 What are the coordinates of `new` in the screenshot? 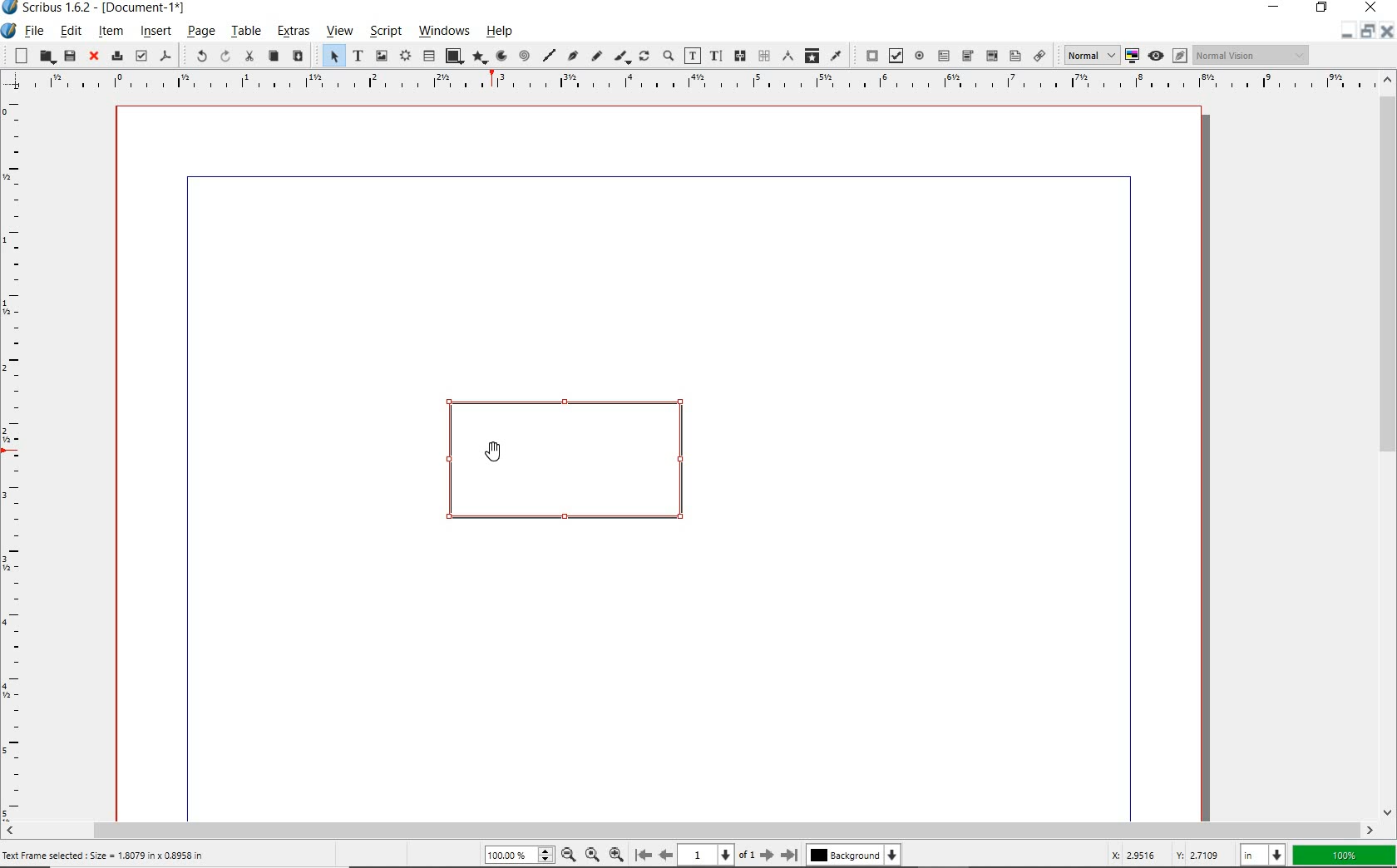 It's located at (21, 55).